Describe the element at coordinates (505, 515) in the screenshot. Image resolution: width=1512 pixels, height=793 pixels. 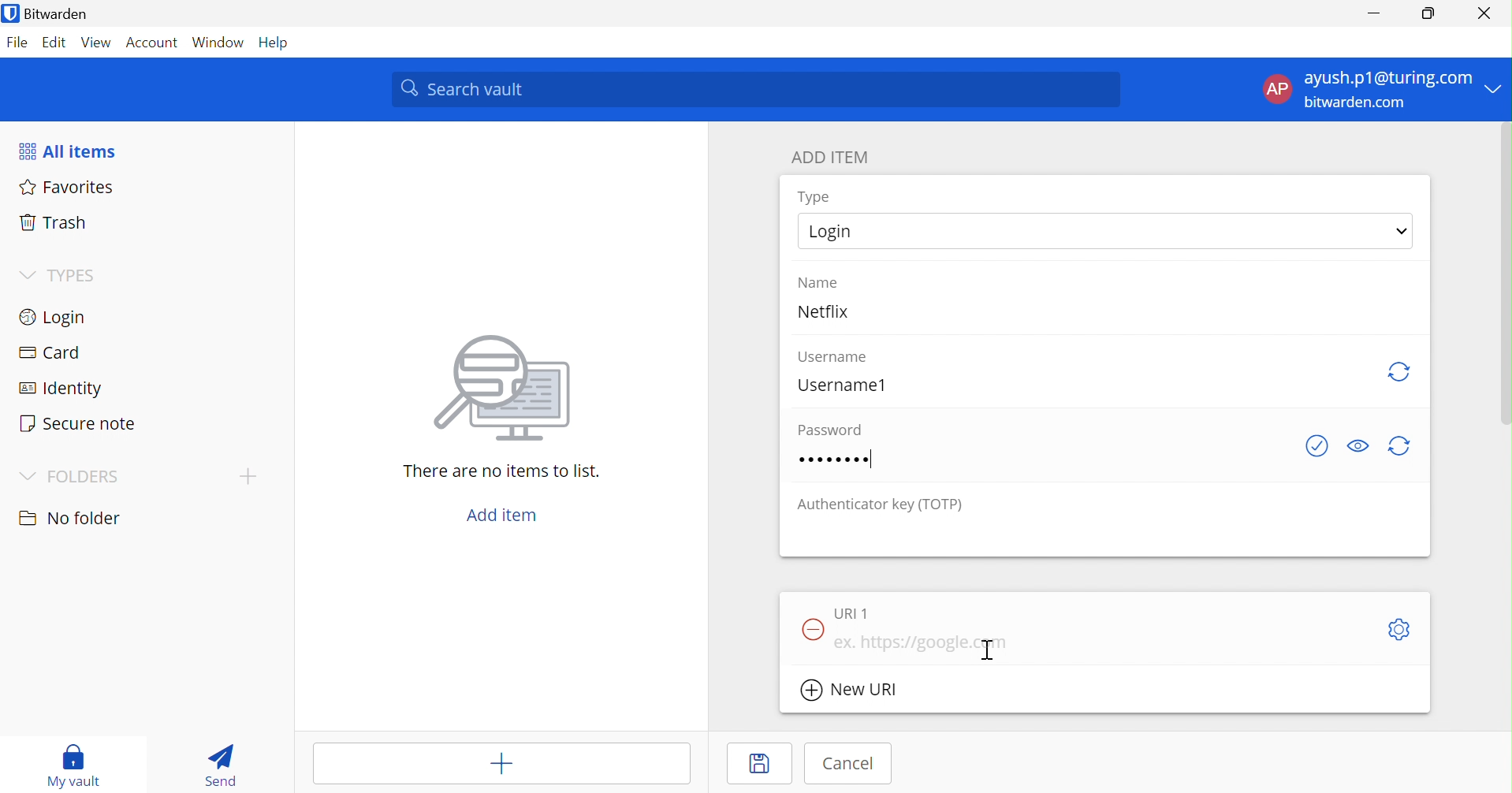
I see `Add item` at that location.